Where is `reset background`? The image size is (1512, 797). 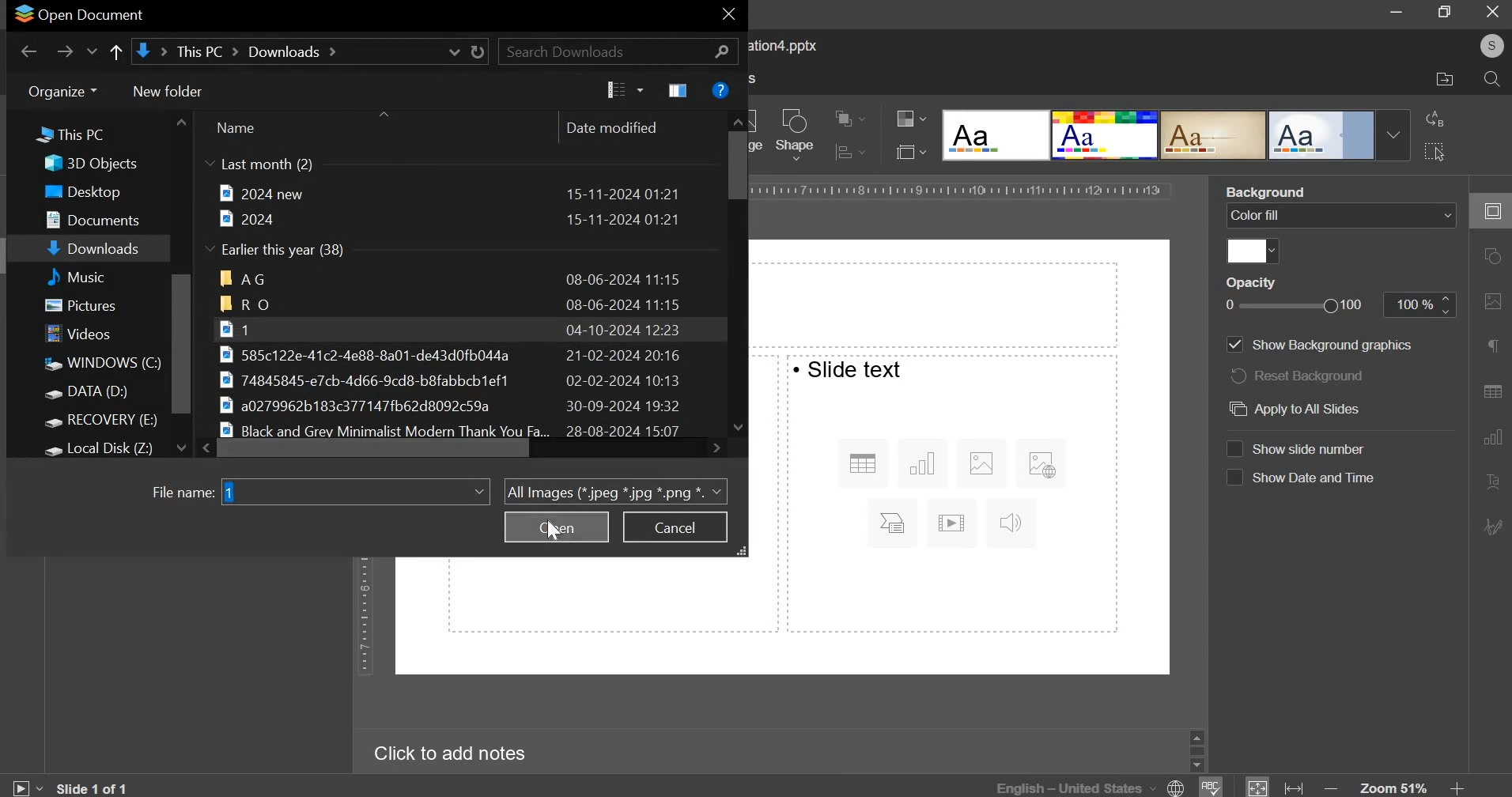
reset background is located at coordinates (1302, 376).